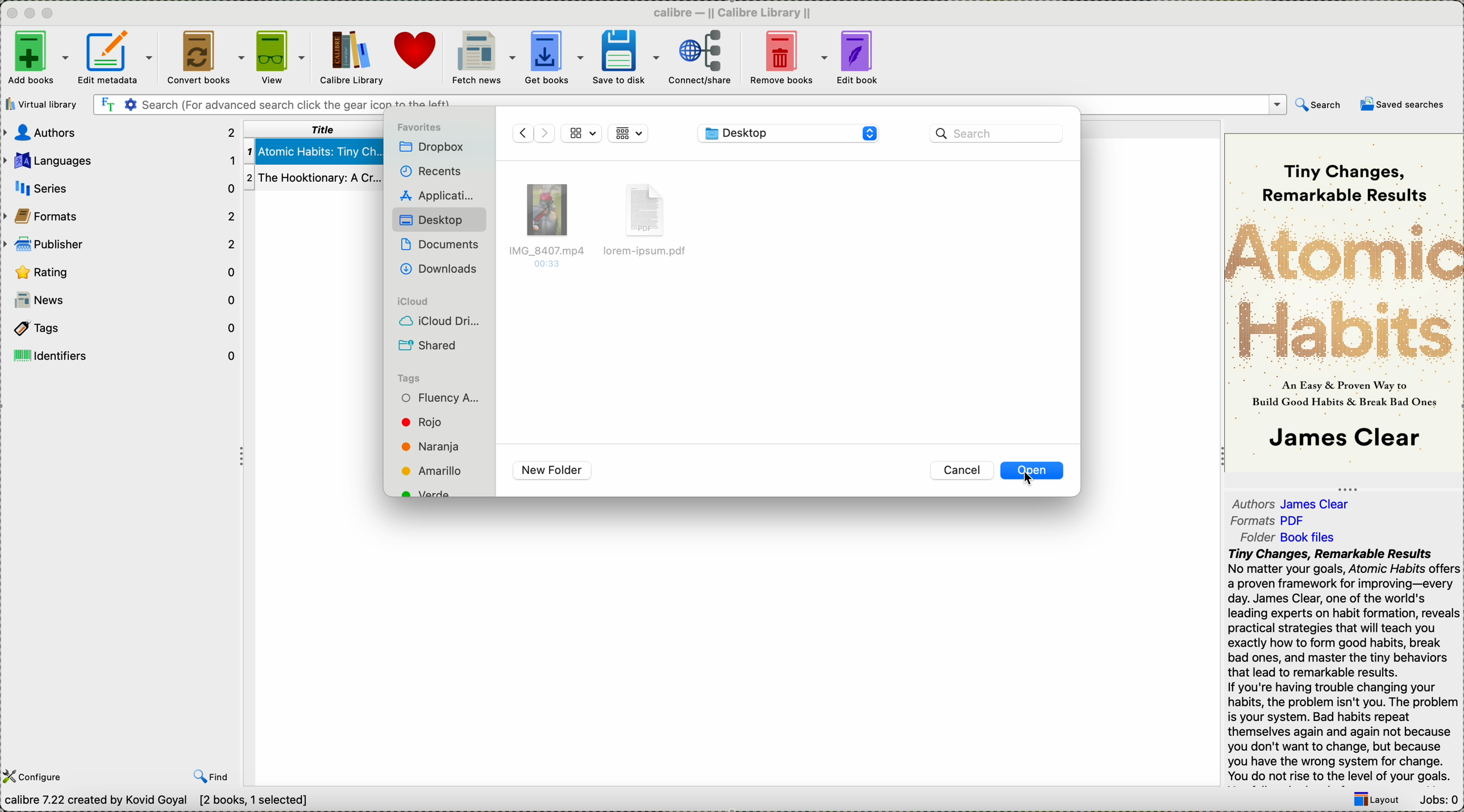  Describe the element at coordinates (963, 470) in the screenshot. I see `cancel` at that location.